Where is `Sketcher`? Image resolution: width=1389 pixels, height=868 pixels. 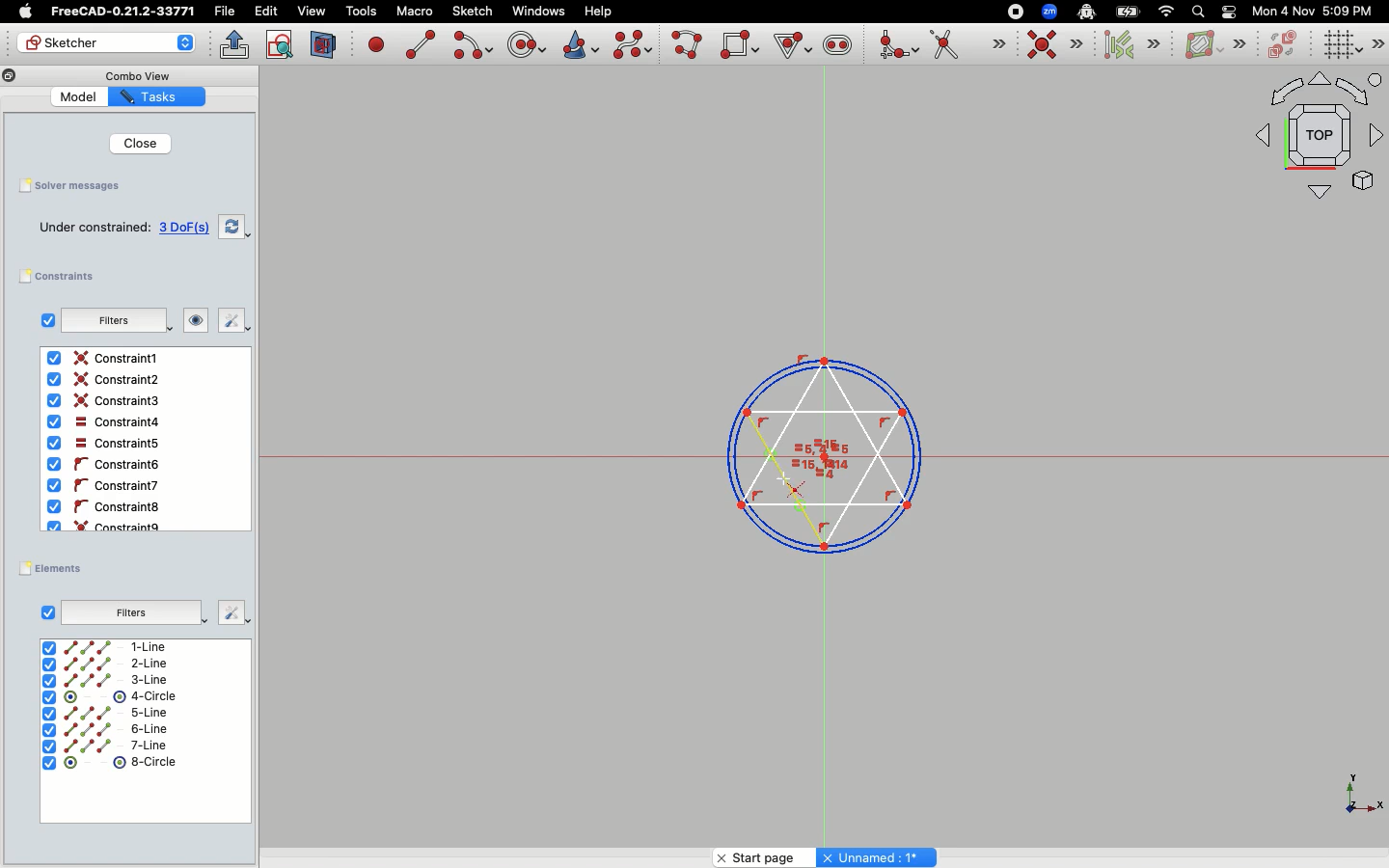 Sketcher is located at coordinates (95, 43).